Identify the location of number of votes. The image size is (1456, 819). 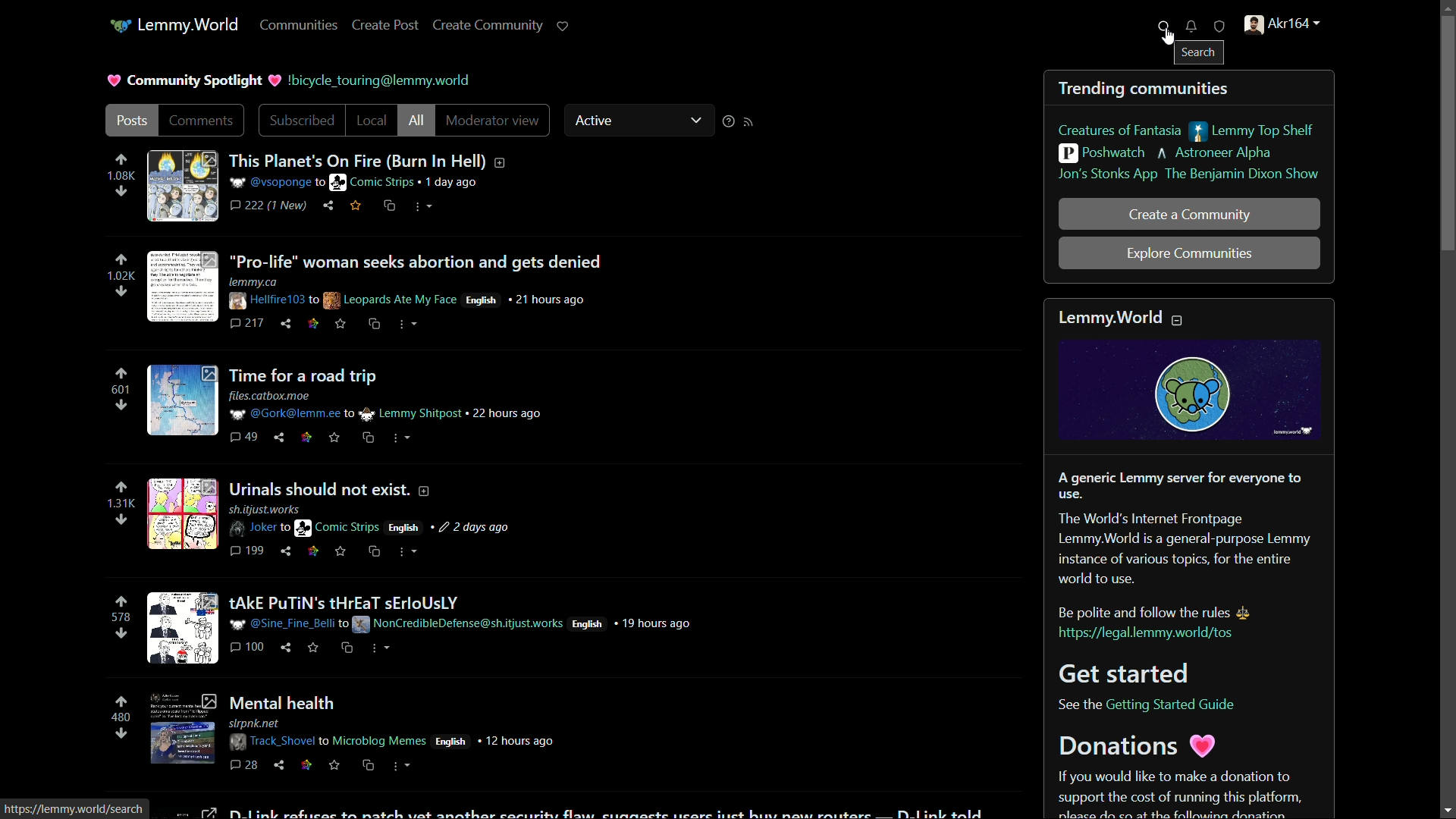
(122, 717).